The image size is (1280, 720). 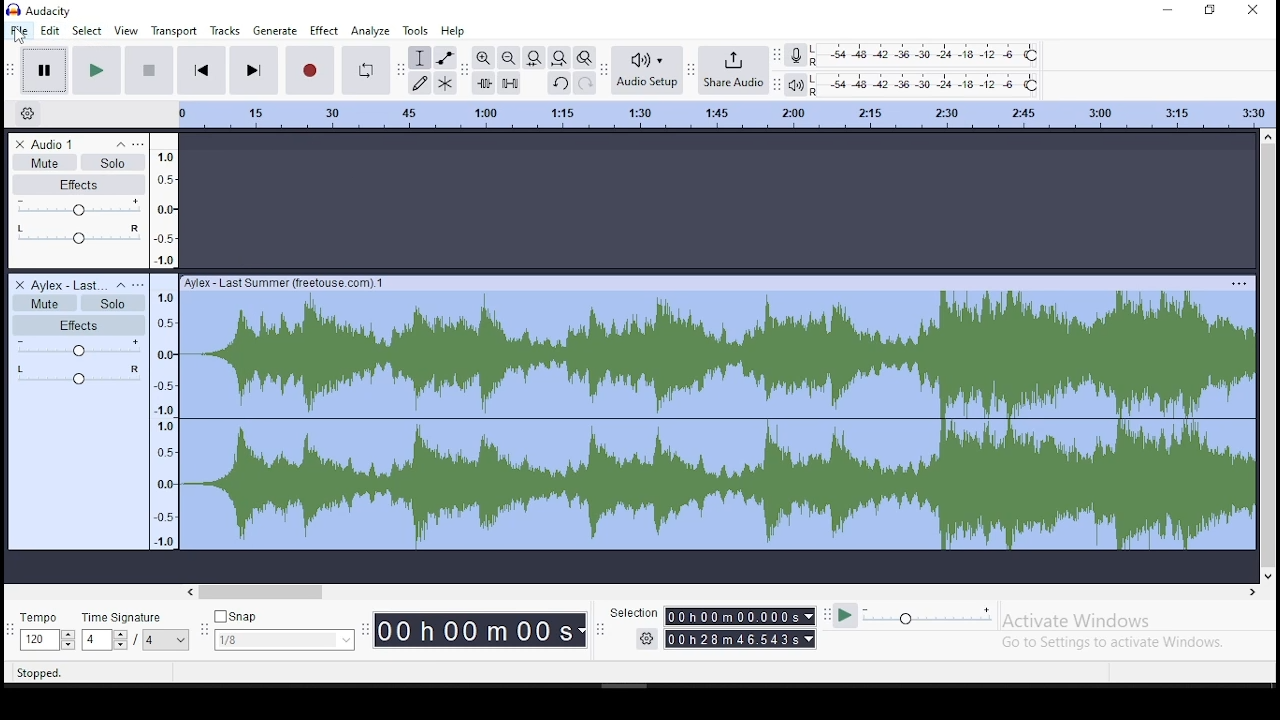 What do you see at coordinates (18, 284) in the screenshot?
I see `delete track` at bounding box center [18, 284].